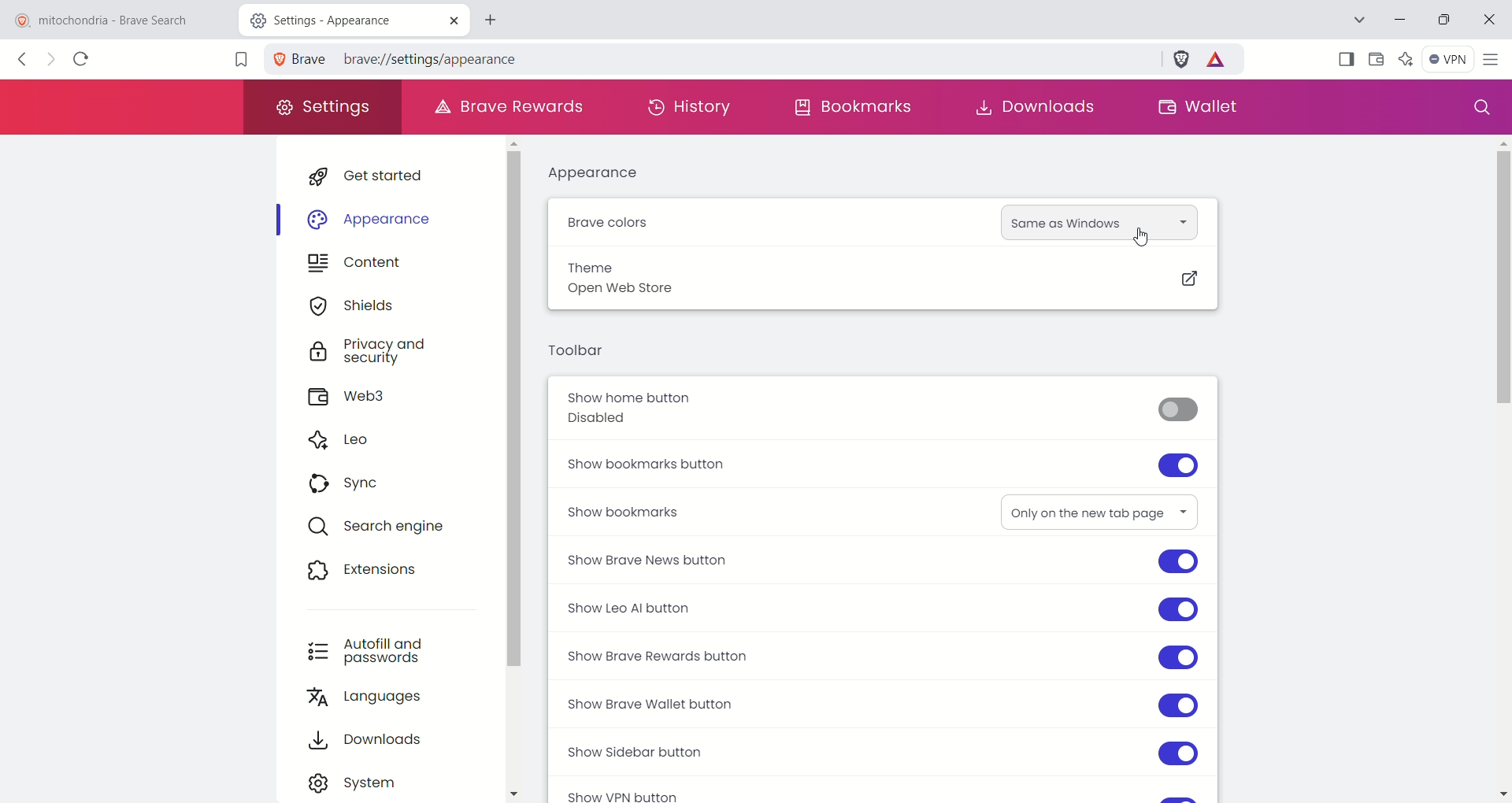 Image resolution: width=1512 pixels, height=803 pixels. Describe the element at coordinates (517, 409) in the screenshot. I see `vertical scroll bar` at that location.